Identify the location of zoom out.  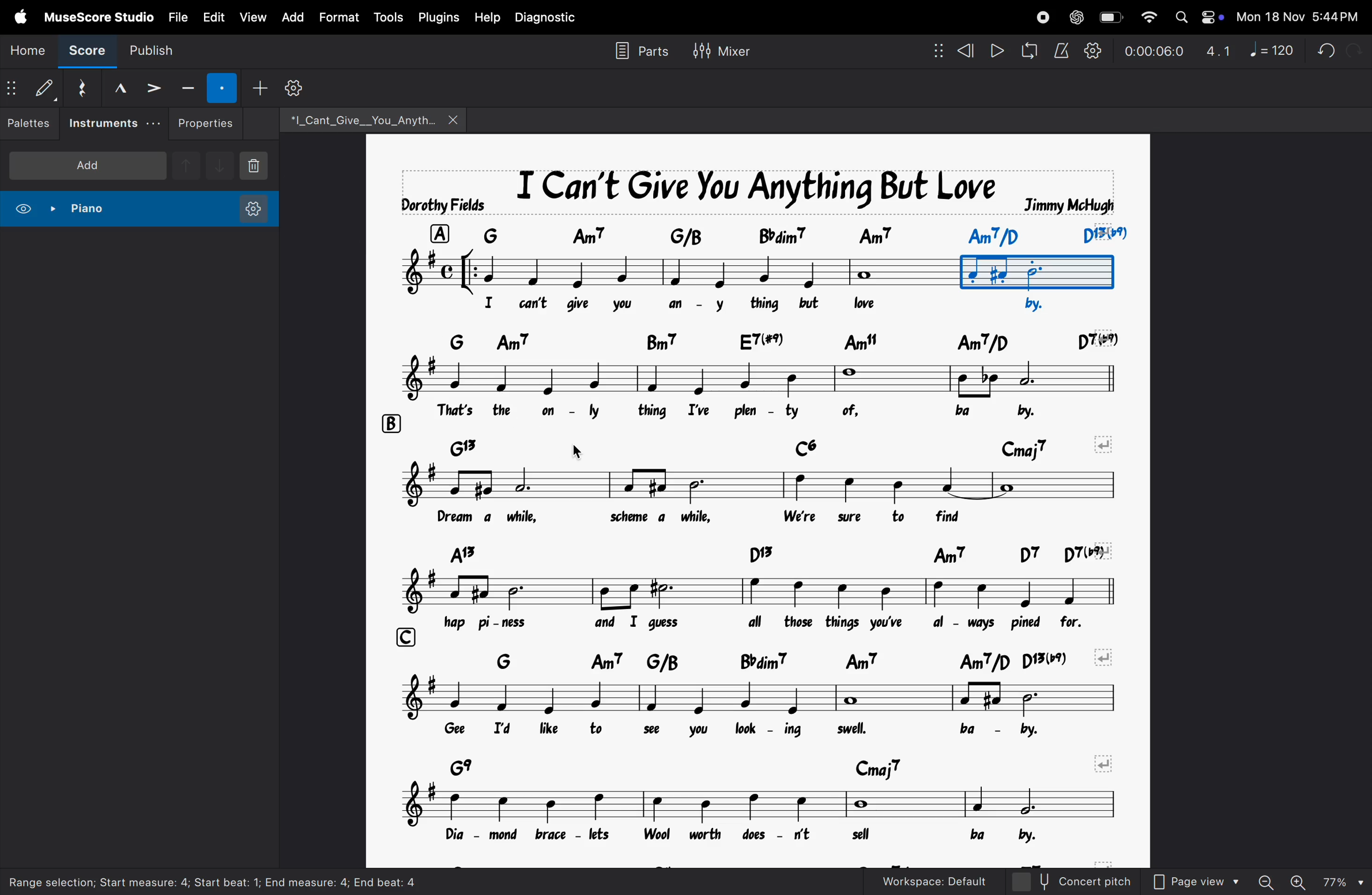
(1265, 882).